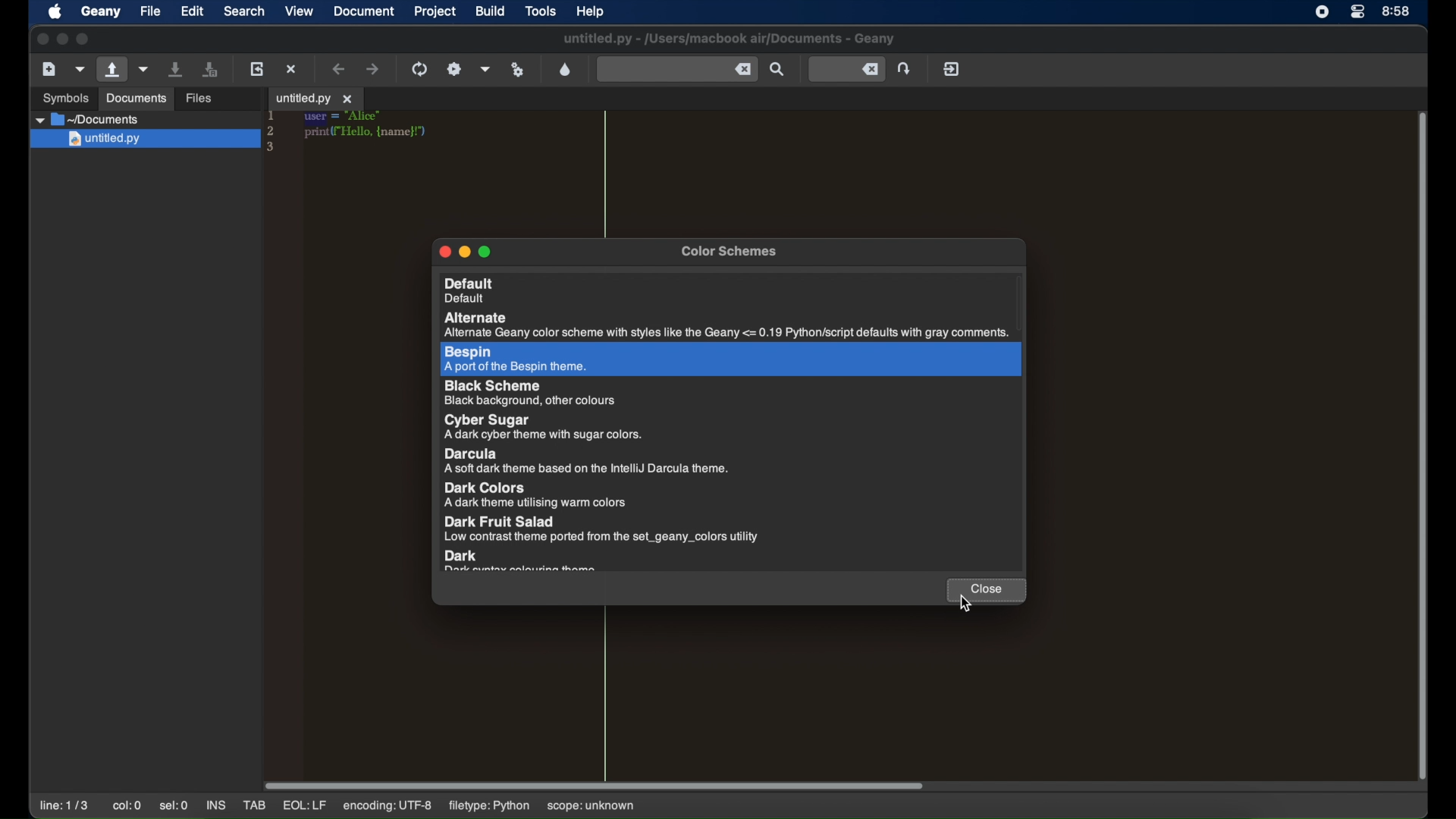 The height and width of the screenshot is (819, 1456). Describe the element at coordinates (64, 99) in the screenshot. I see `symbols` at that location.